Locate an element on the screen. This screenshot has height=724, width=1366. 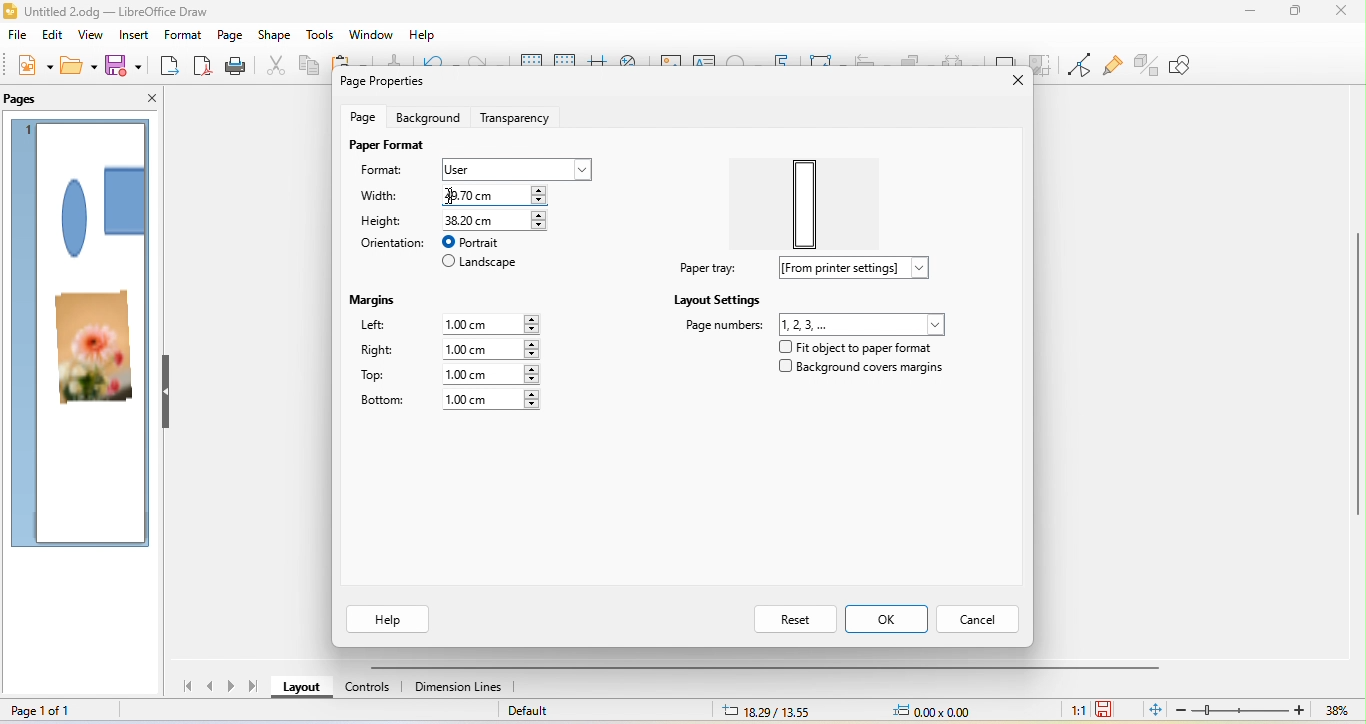
ok is located at coordinates (892, 619).